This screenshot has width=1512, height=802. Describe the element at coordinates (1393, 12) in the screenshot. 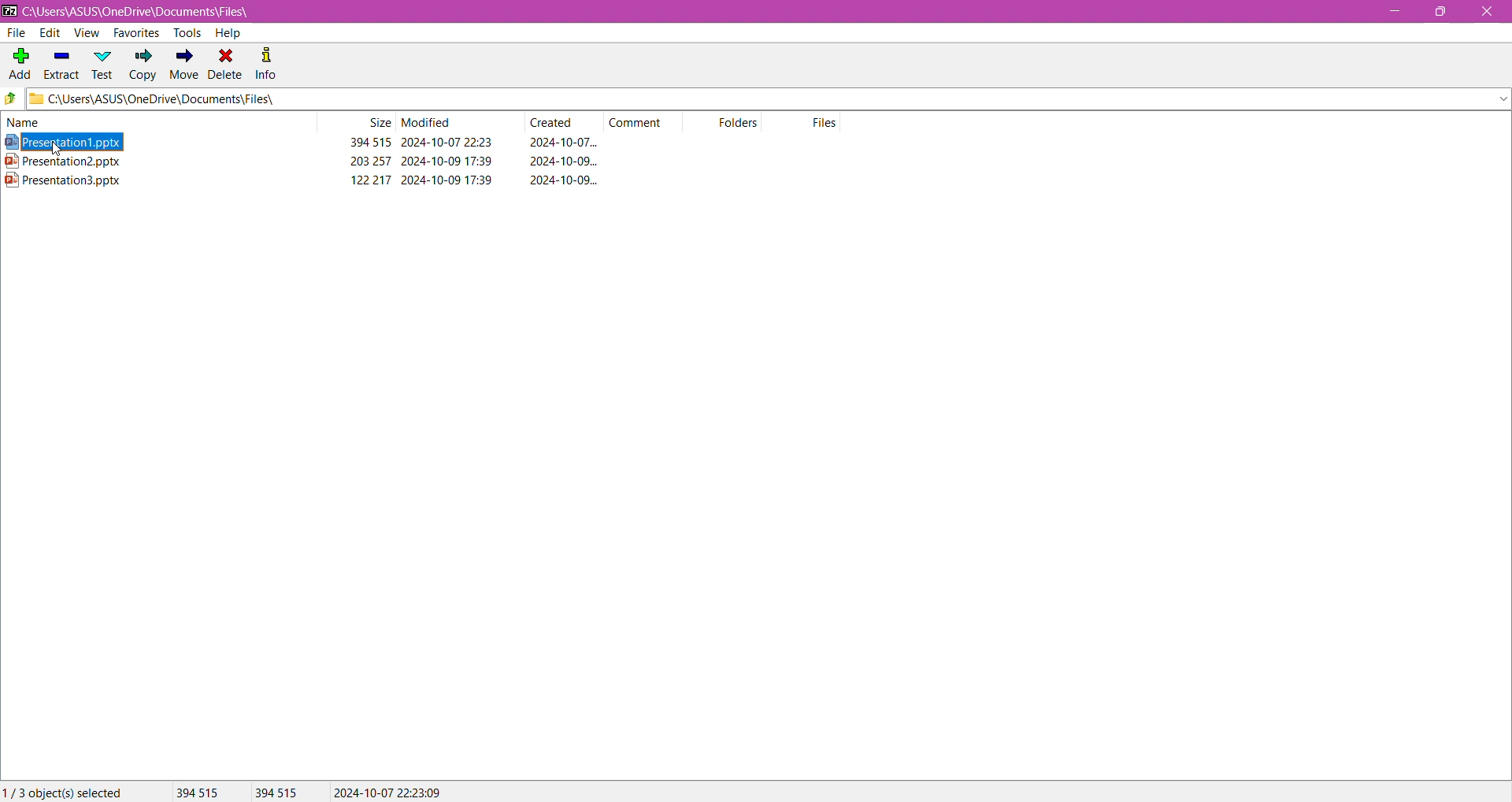

I see `Minimize` at that location.